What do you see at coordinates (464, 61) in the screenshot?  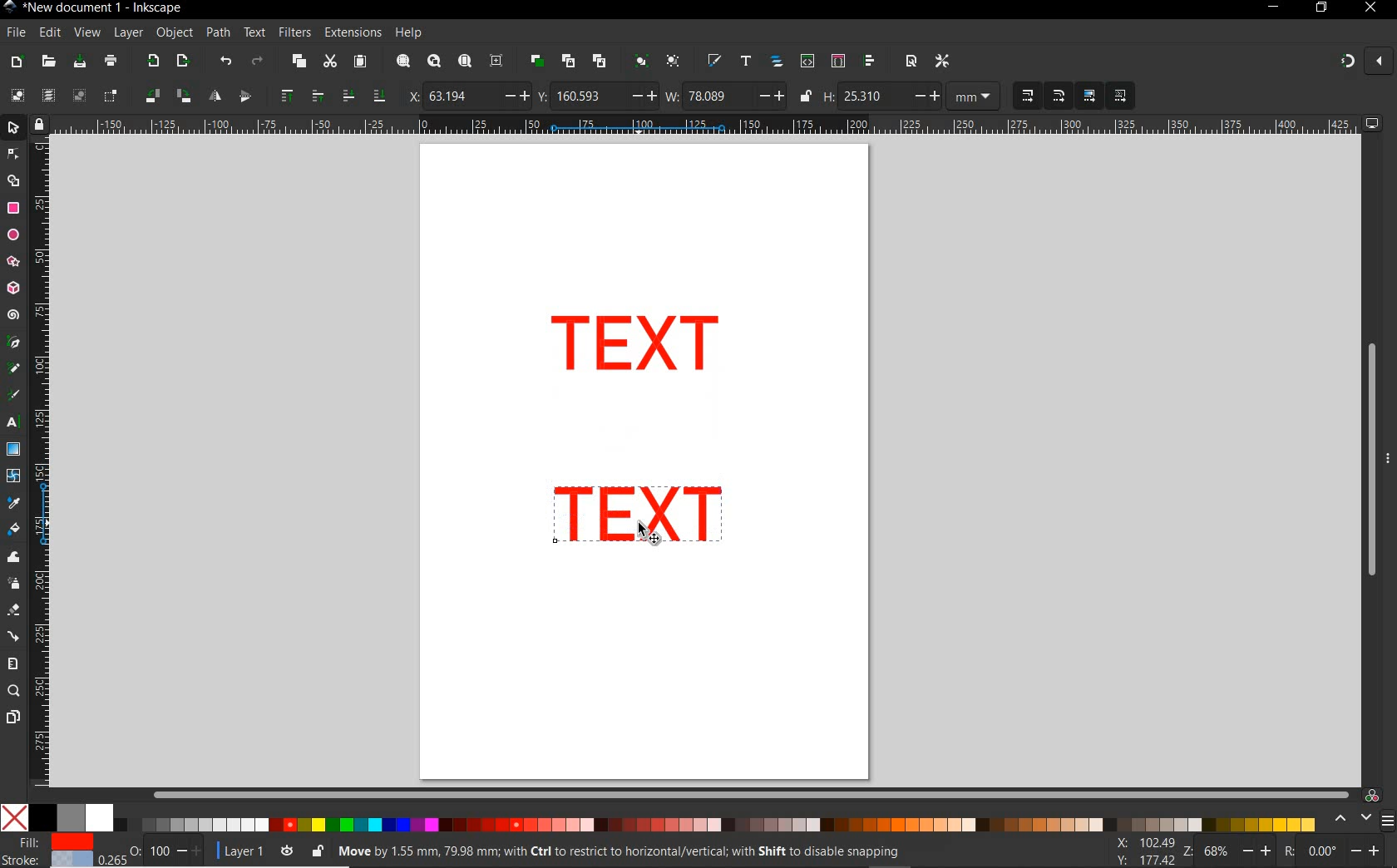 I see `zoom page` at bounding box center [464, 61].